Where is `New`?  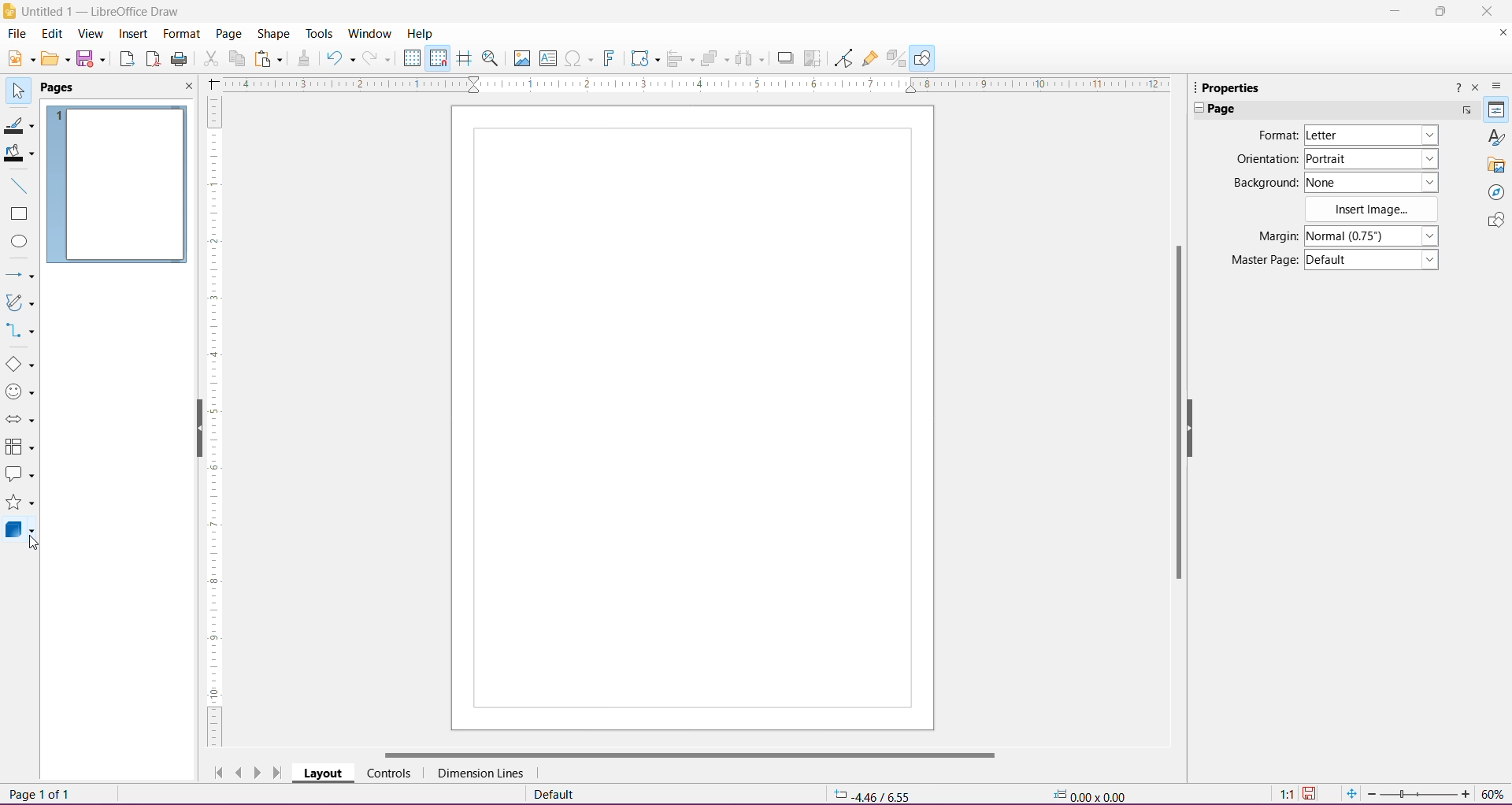
New is located at coordinates (19, 57).